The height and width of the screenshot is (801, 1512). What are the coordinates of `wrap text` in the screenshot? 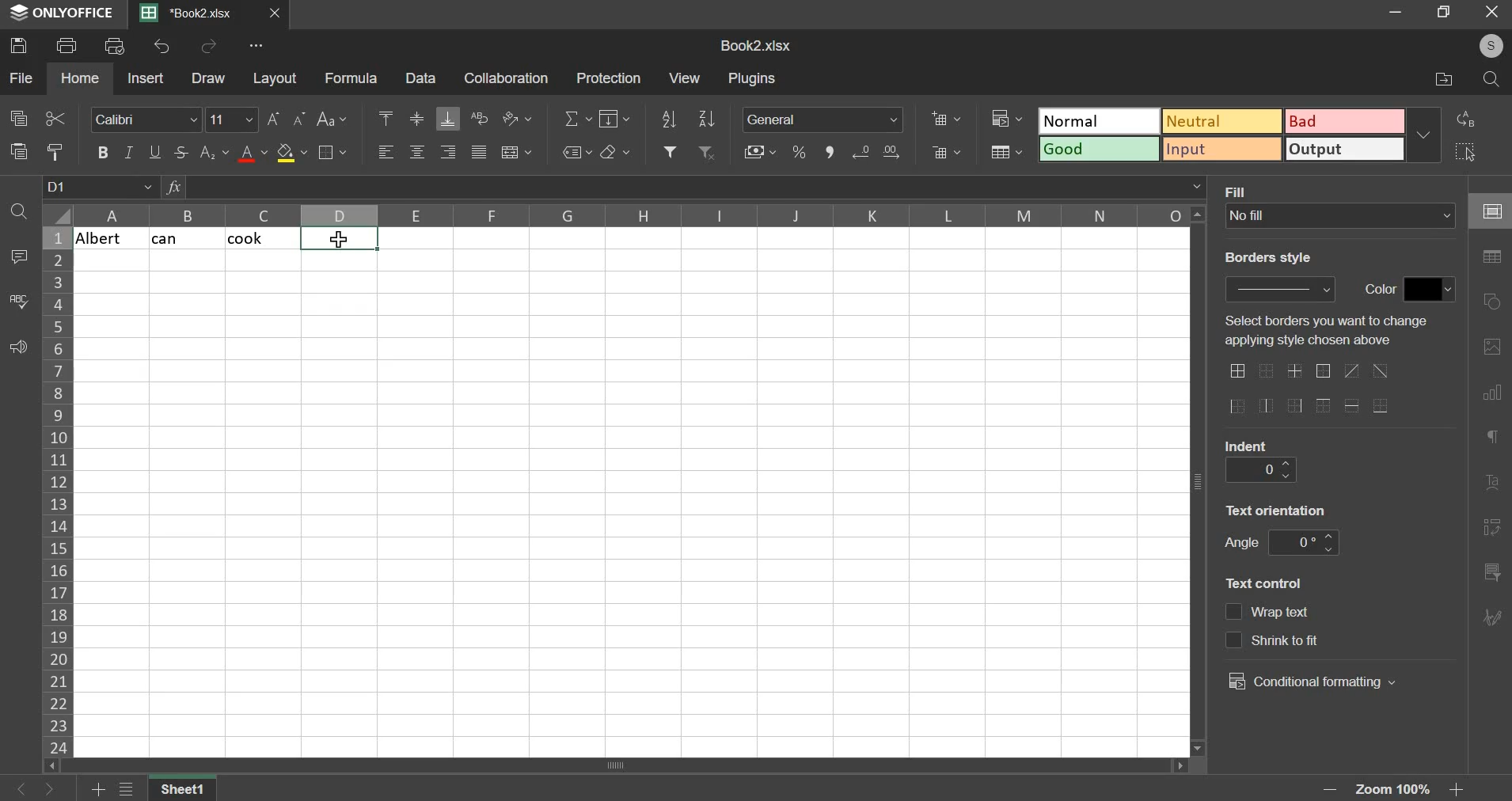 It's located at (481, 116).